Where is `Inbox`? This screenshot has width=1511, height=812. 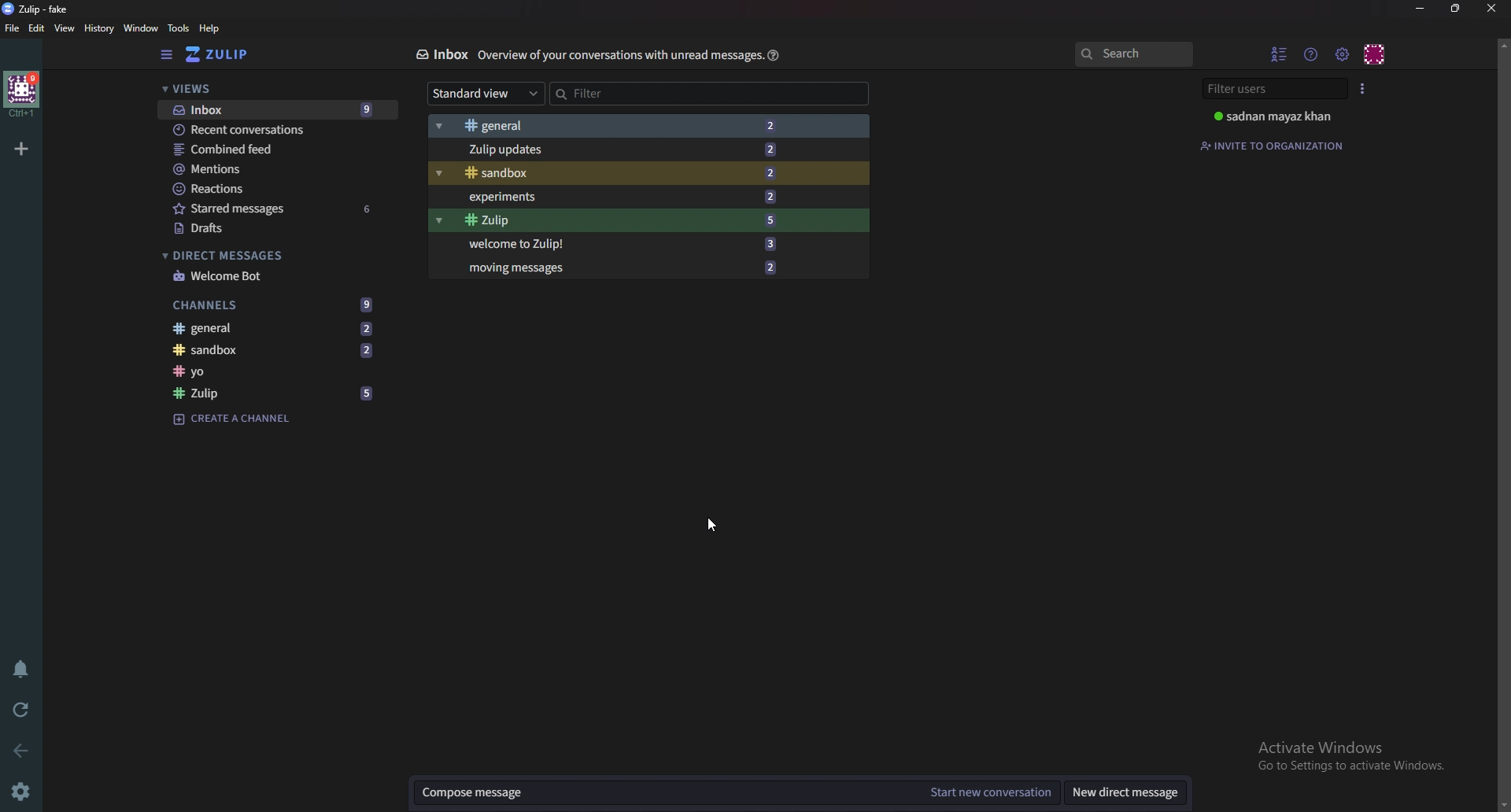 Inbox is located at coordinates (275, 109).